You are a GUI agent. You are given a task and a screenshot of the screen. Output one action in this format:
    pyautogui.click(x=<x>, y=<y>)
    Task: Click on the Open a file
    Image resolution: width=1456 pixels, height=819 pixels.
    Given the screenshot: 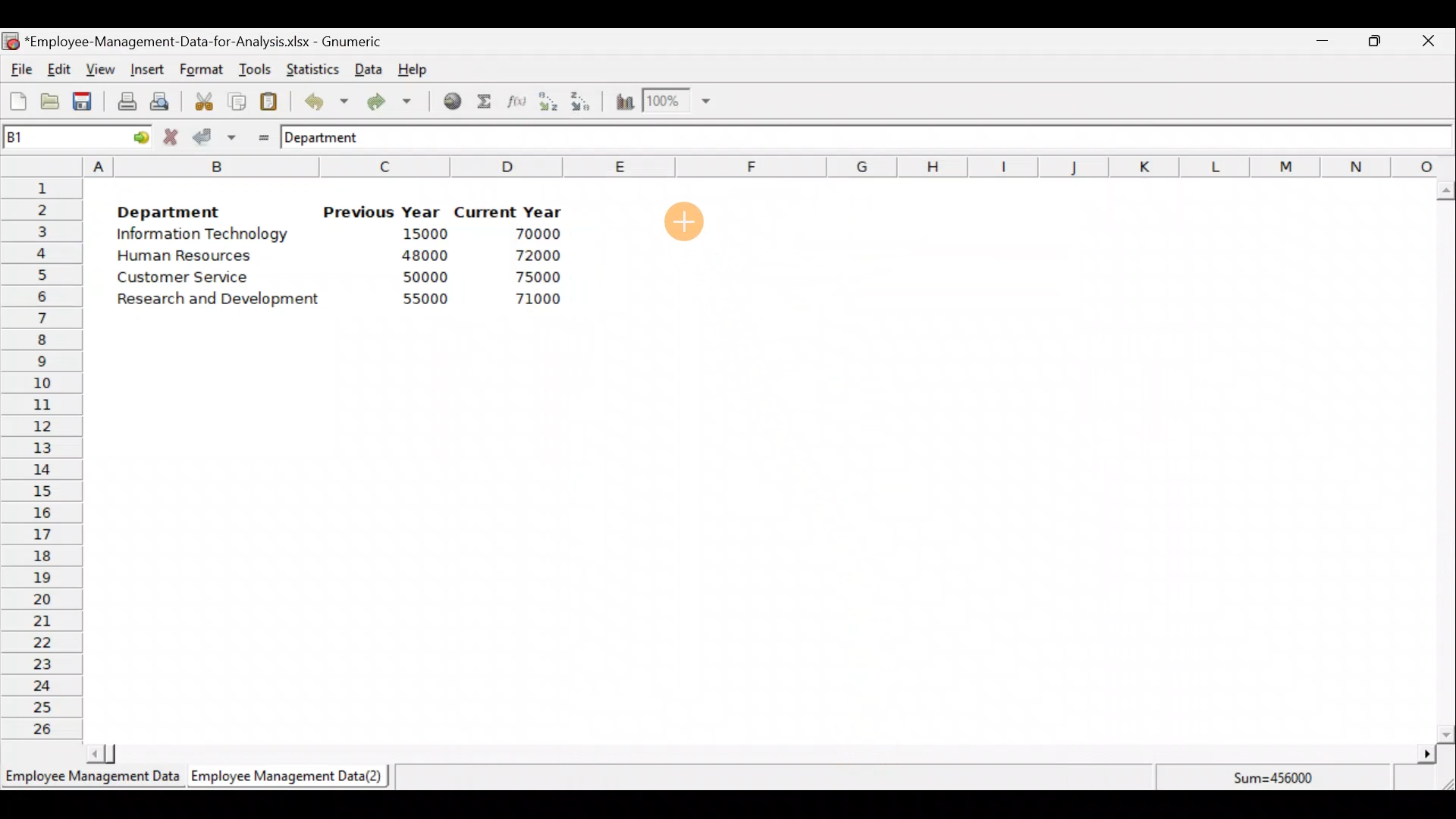 What is the action you would take?
    pyautogui.click(x=54, y=103)
    